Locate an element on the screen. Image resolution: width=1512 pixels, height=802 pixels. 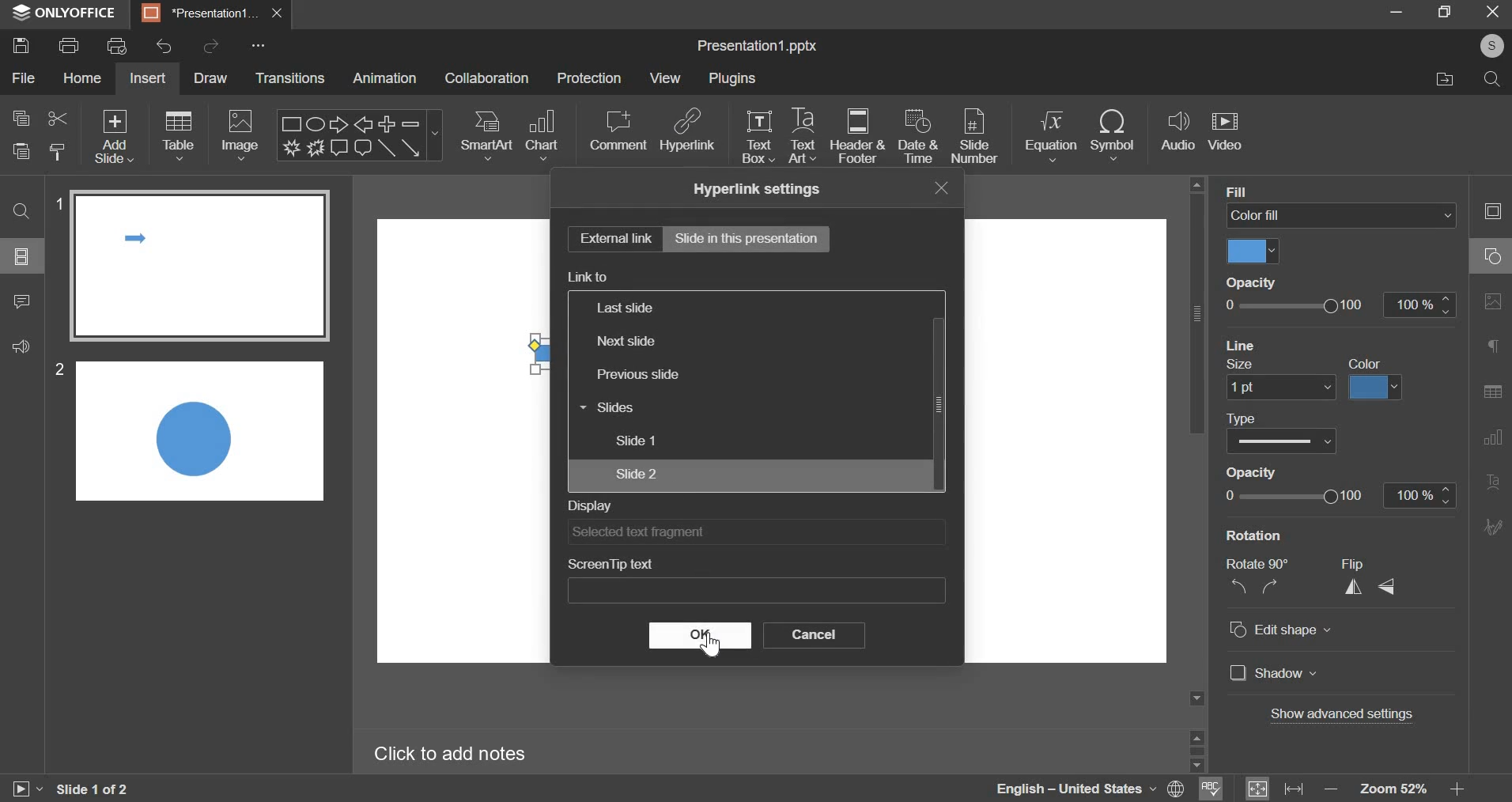
set size is located at coordinates (1281, 388).